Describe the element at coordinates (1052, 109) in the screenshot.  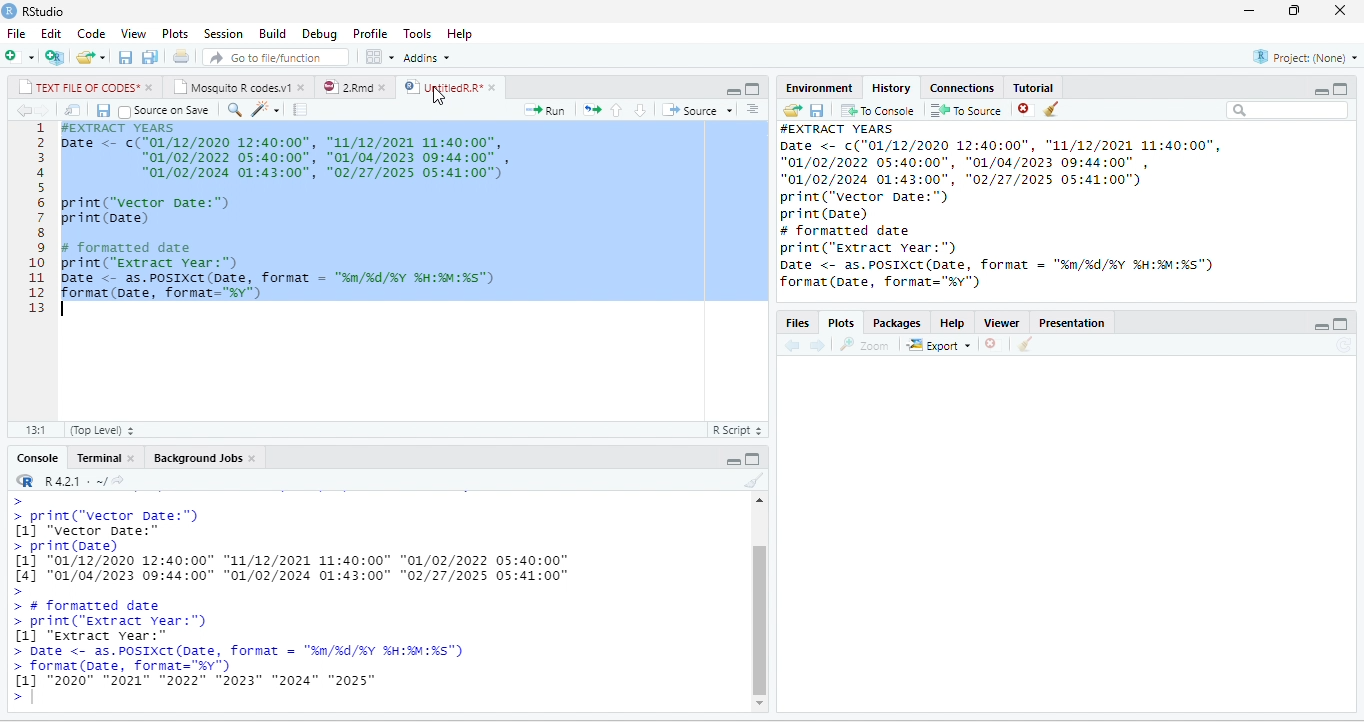
I see `clear` at that location.